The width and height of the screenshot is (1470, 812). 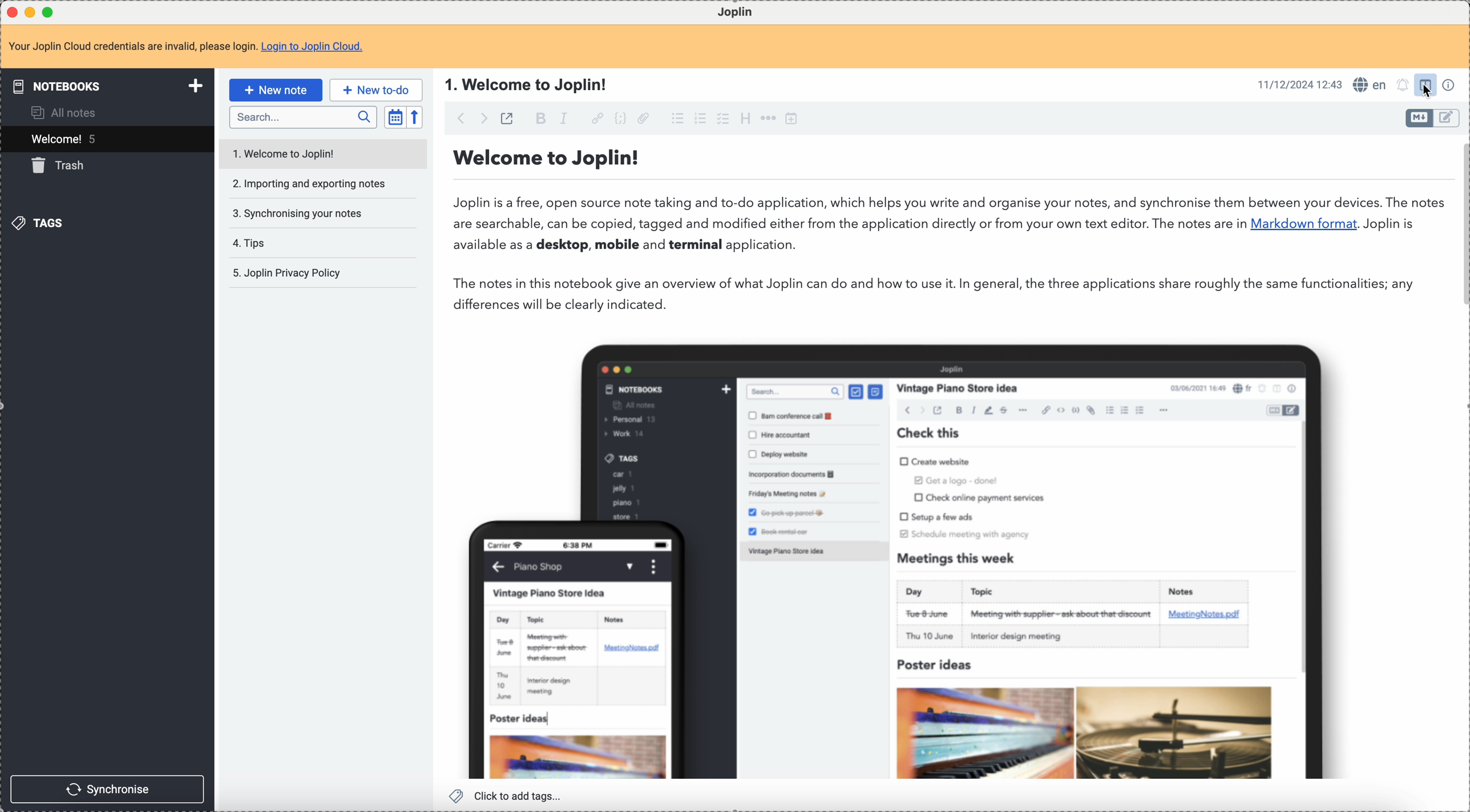 What do you see at coordinates (308, 184) in the screenshot?
I see `importing and exporting notes` at bounding box center [308, 184].